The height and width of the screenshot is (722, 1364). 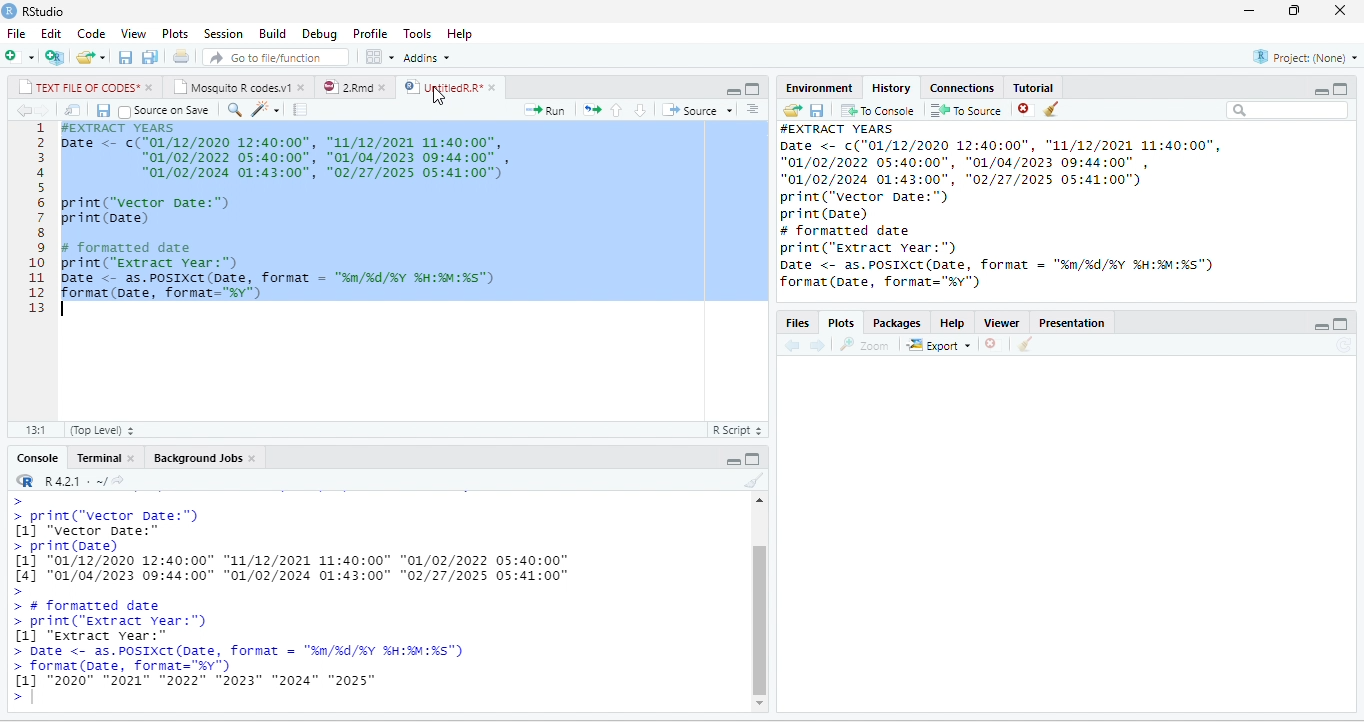 What do you see at coordinates (441, 95) in the screenshot?
I see `cursor` at bounding box center [441, 95].